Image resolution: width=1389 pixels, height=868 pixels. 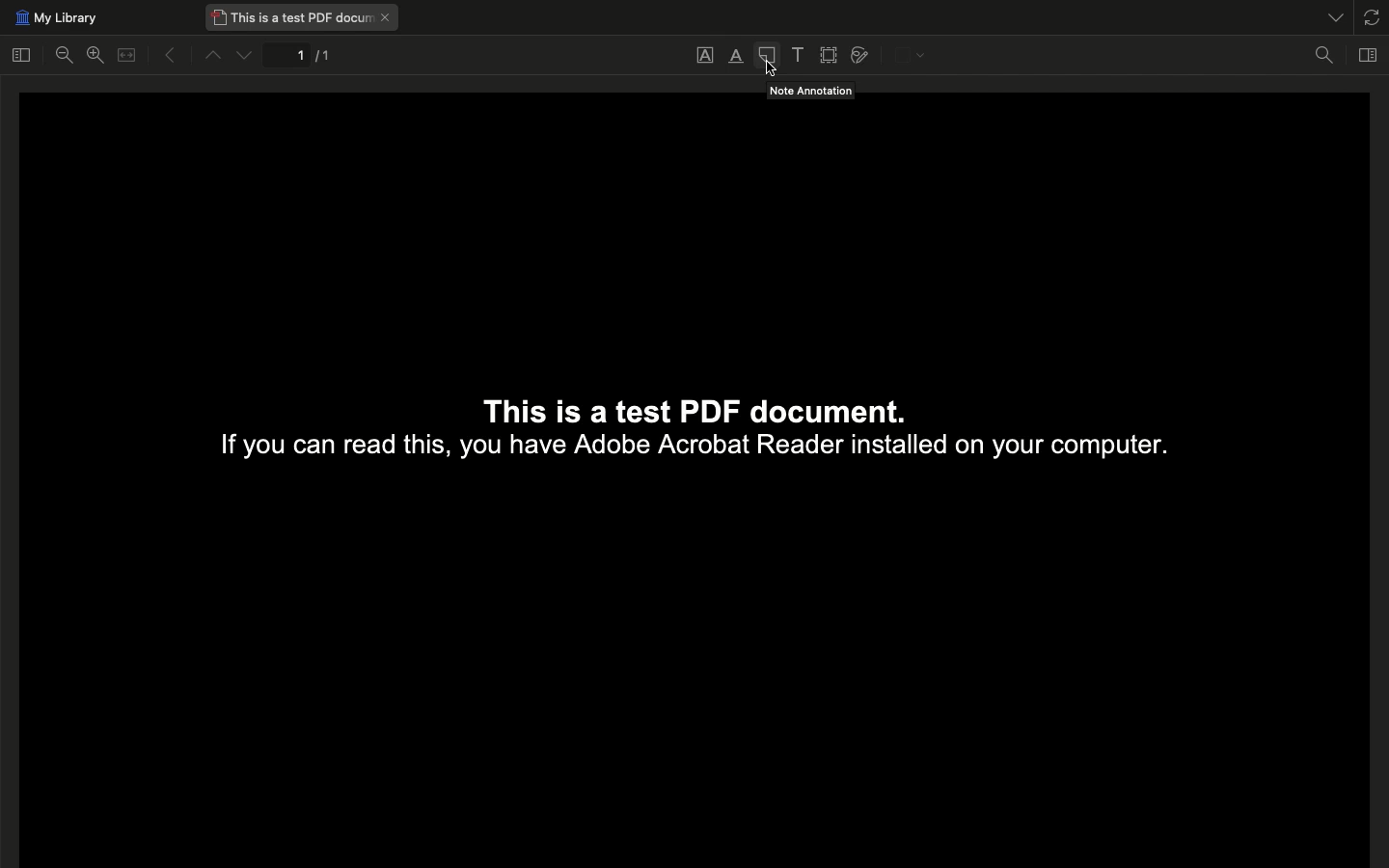 I want to click on Find in document, so click(x=1324, y=57).